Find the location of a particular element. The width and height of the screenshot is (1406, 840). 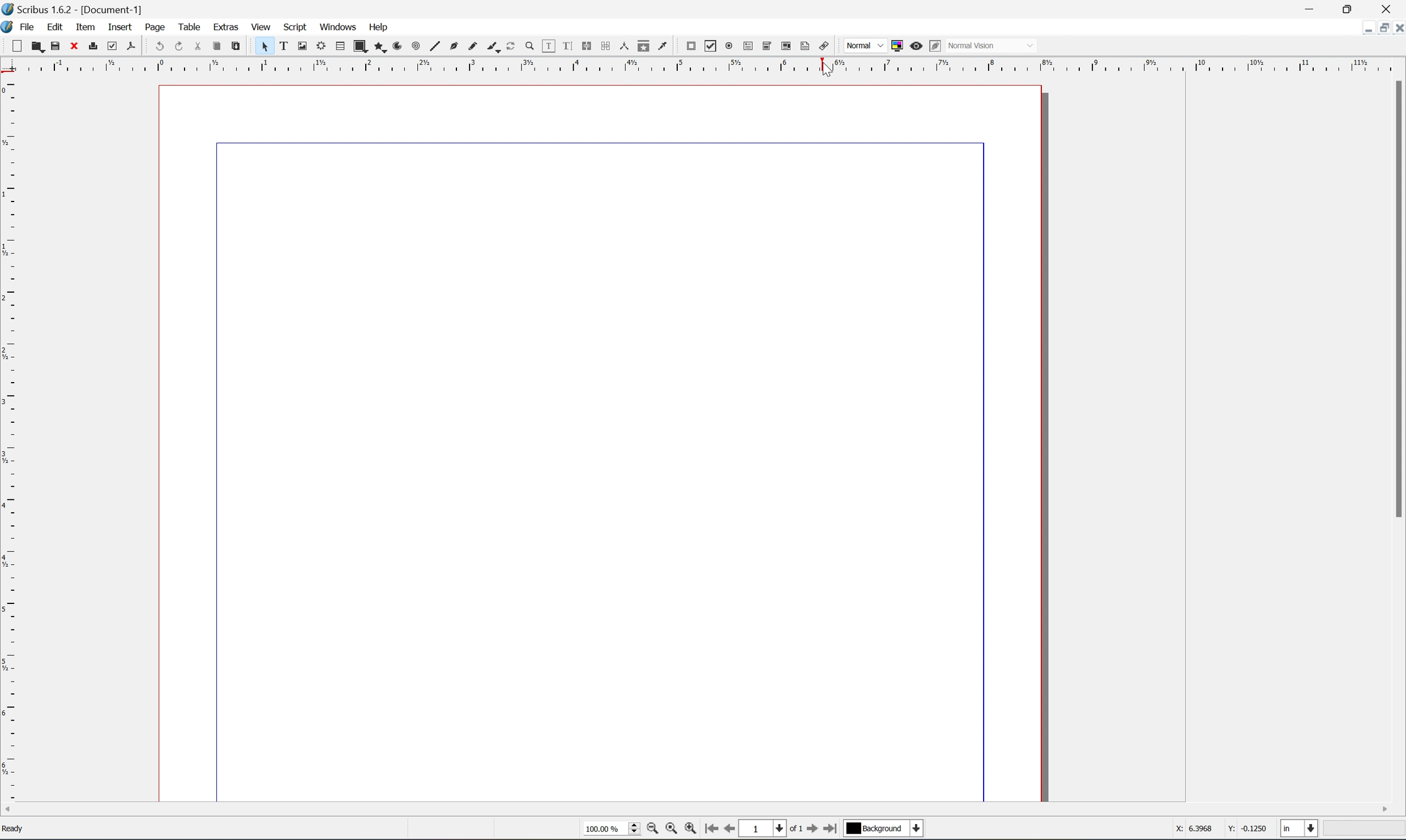

copy is located at coordinates (218, 46).